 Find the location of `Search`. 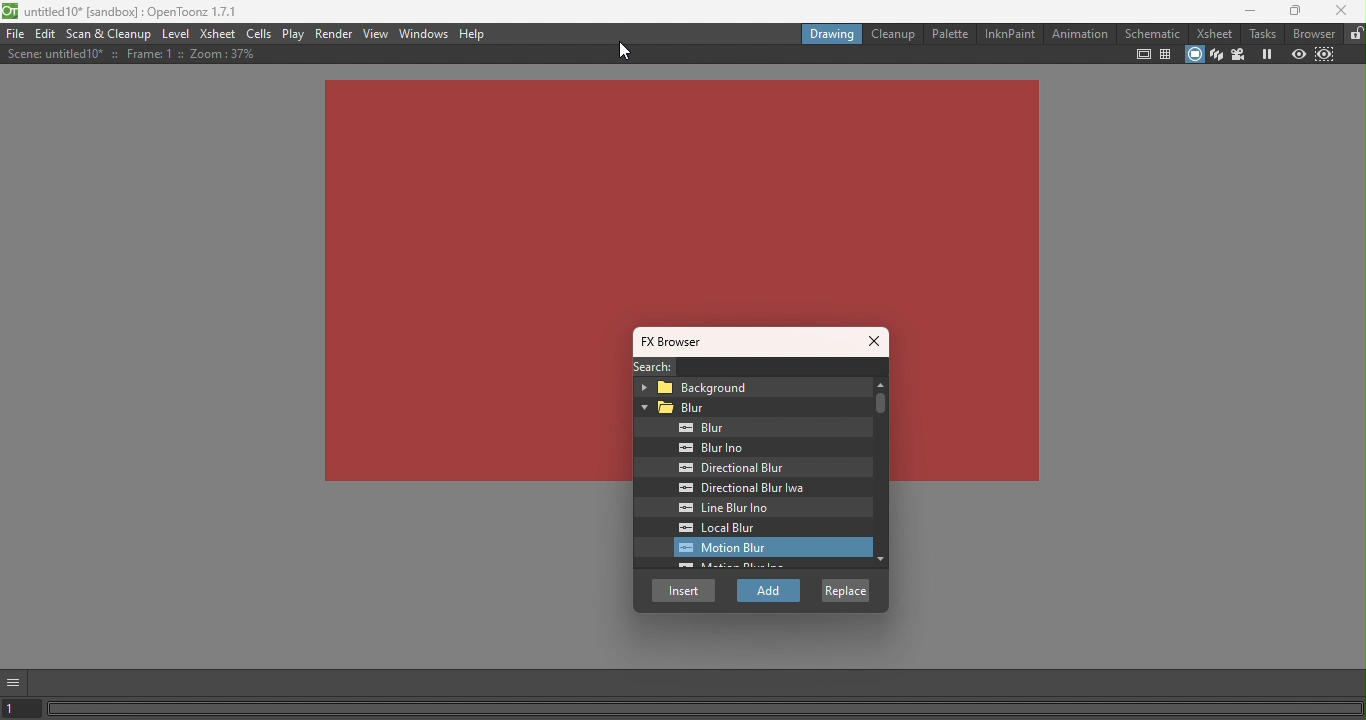

Search is located at coordinates (650, 366).